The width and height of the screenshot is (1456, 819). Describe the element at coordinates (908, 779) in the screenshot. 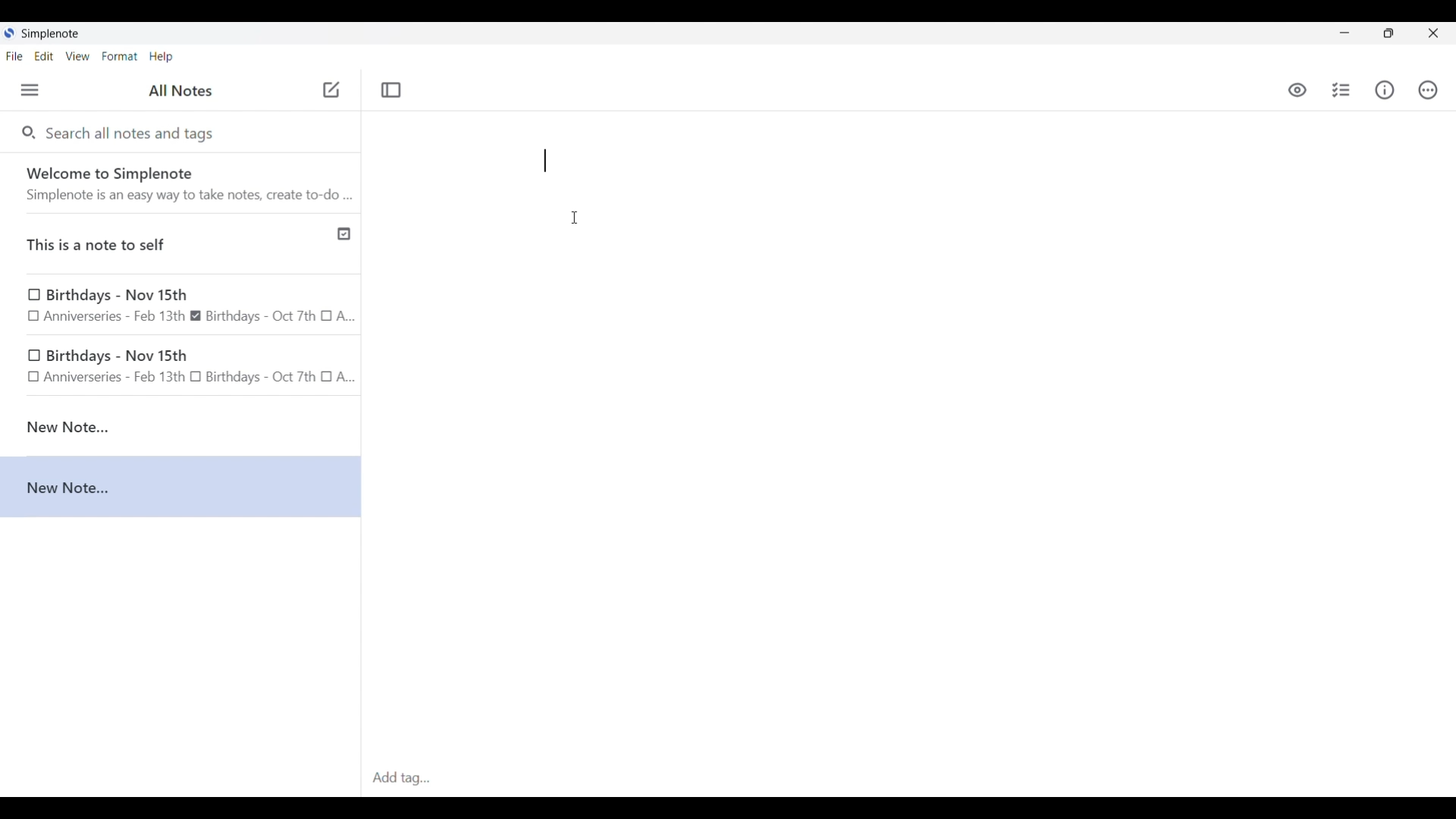

I see `Click to type in tags` at that location.